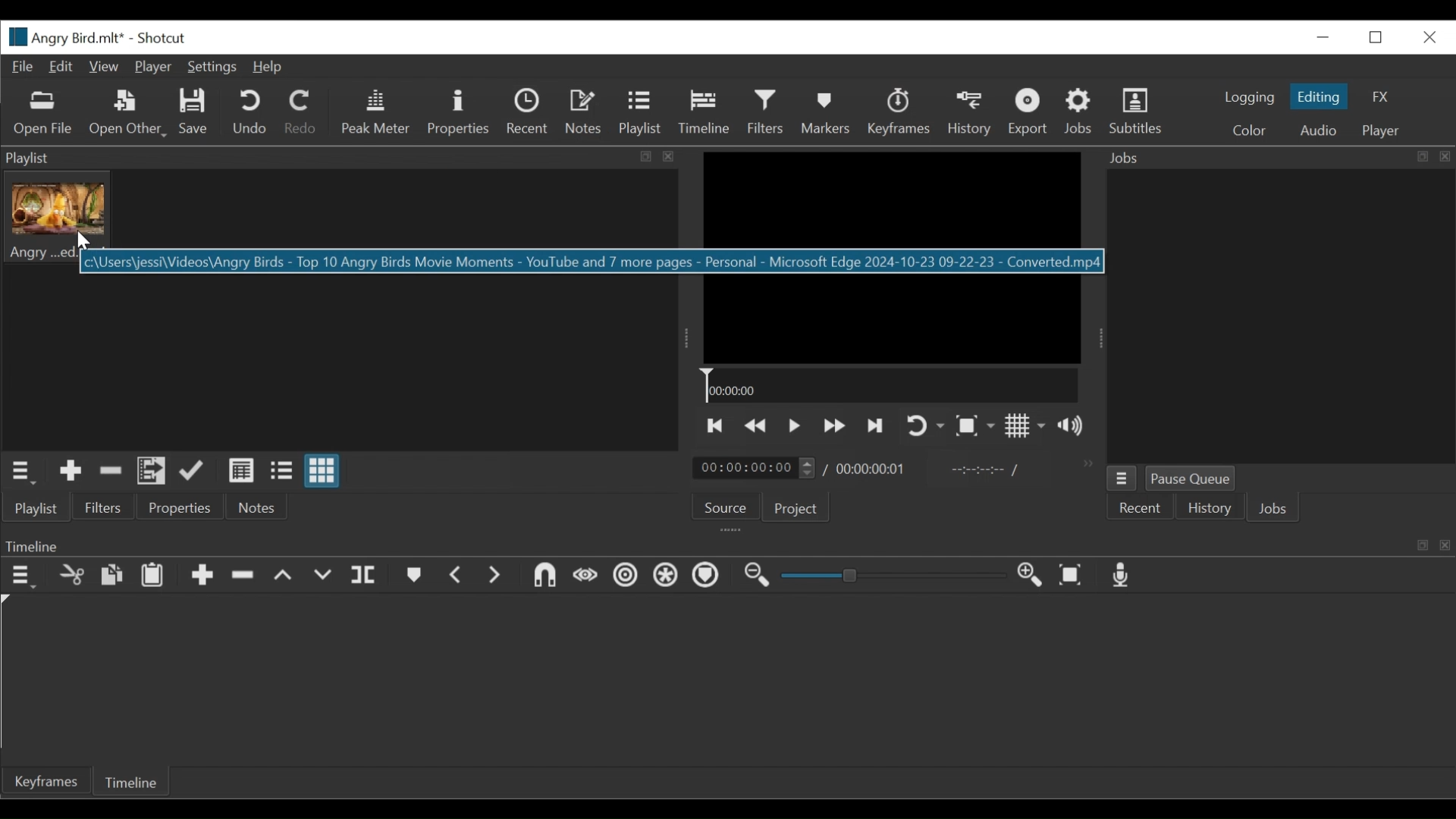  I want to click on Jobs Panel, so click(1280, 317).